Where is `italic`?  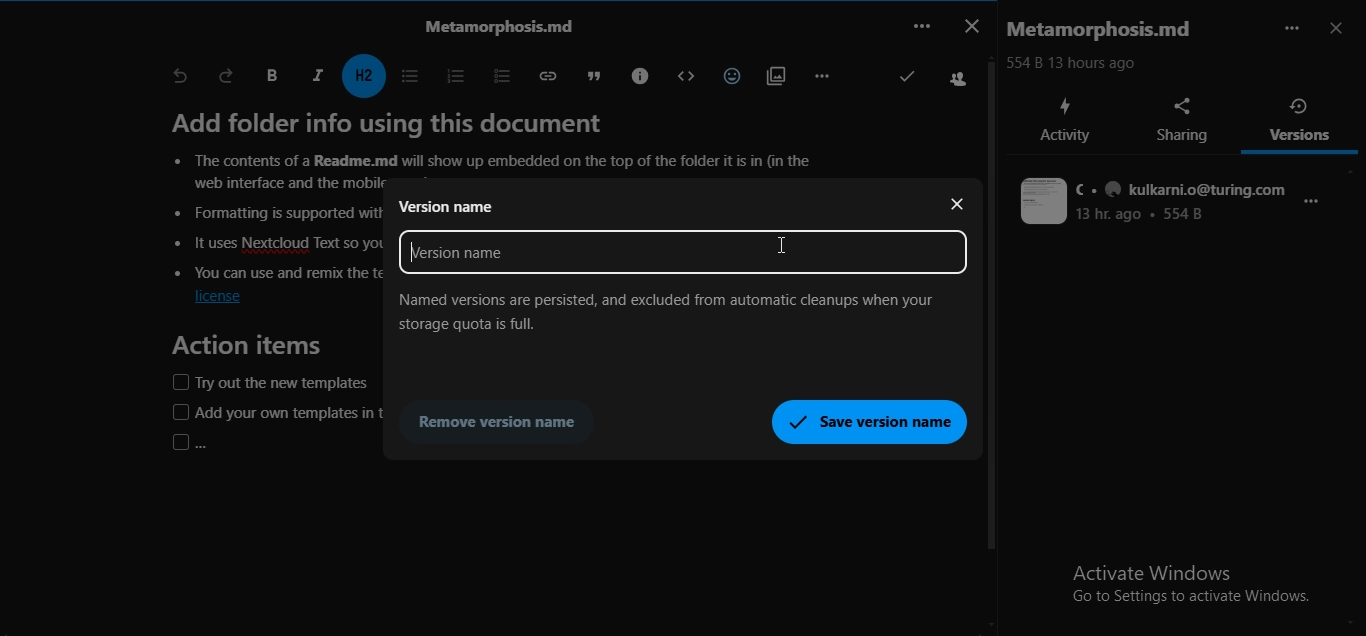 italic is located at coordinates (317, 74).